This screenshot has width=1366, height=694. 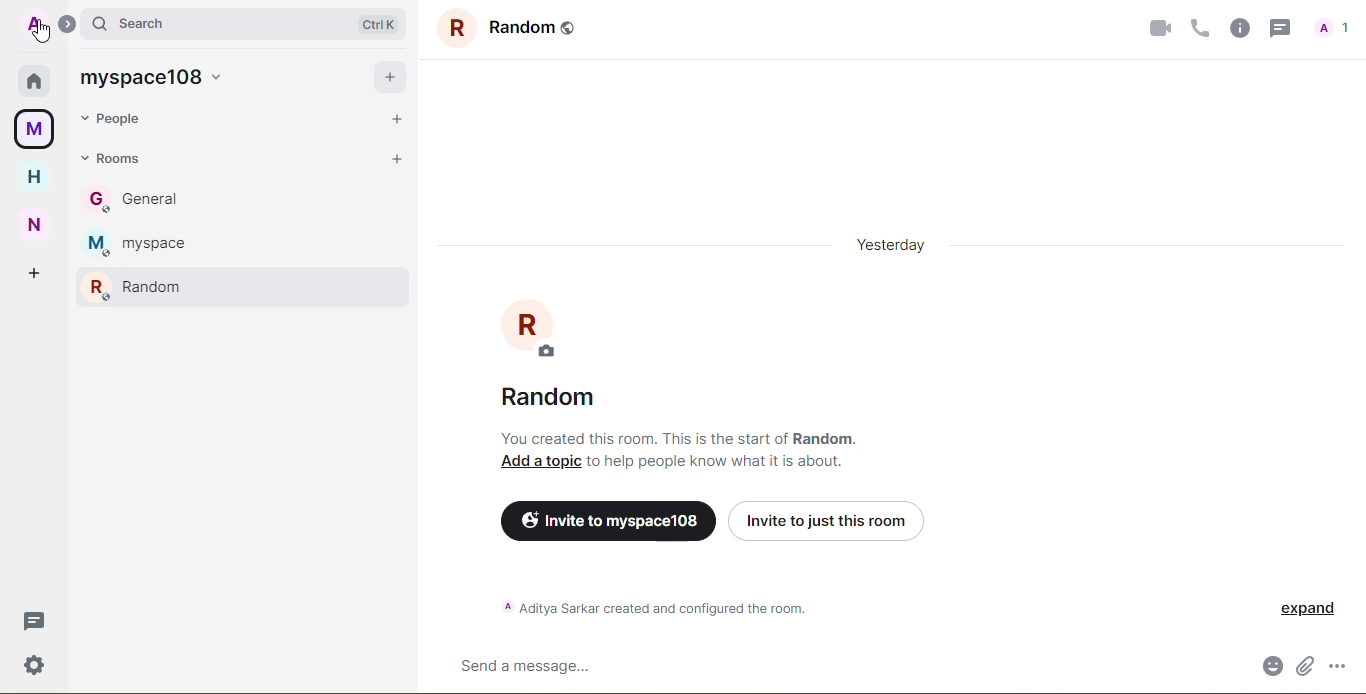 I want to click on Cursor, so click(x=43, y=36).